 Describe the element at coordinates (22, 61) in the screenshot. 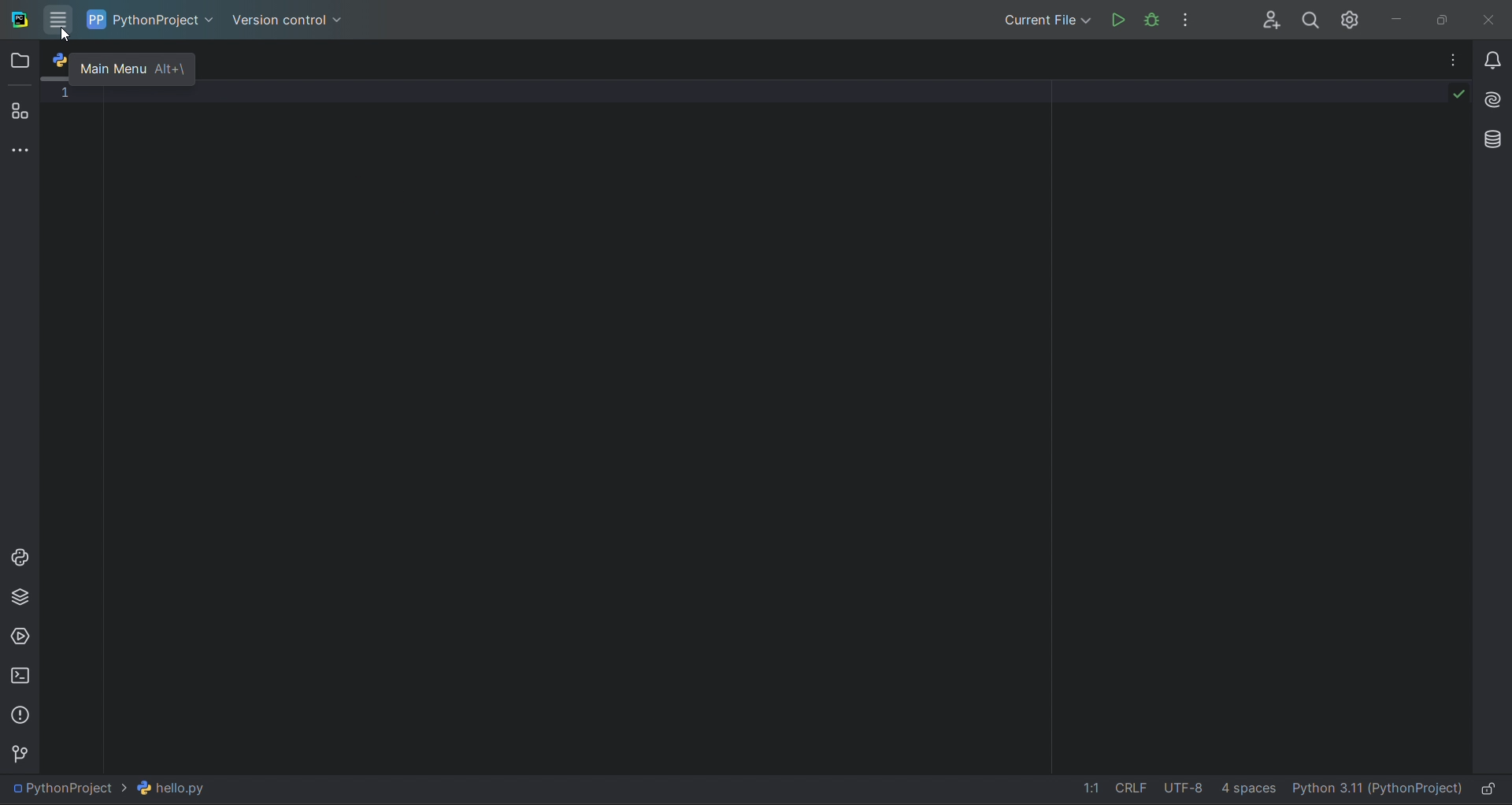

I see `folder window` at that location.